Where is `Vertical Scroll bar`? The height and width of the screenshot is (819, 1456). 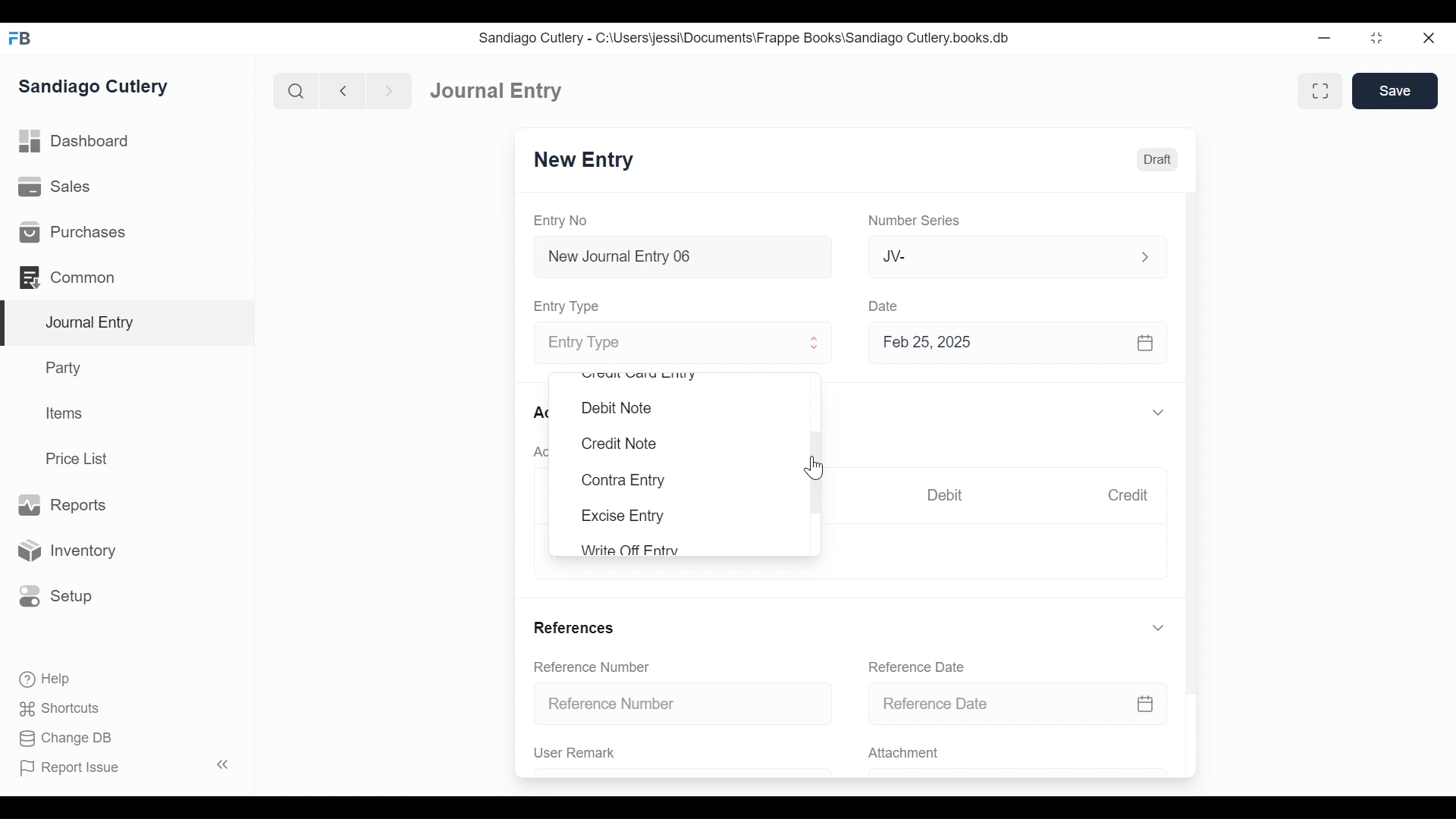
Vertical Scroll bar is located at coordinates (816, 473).